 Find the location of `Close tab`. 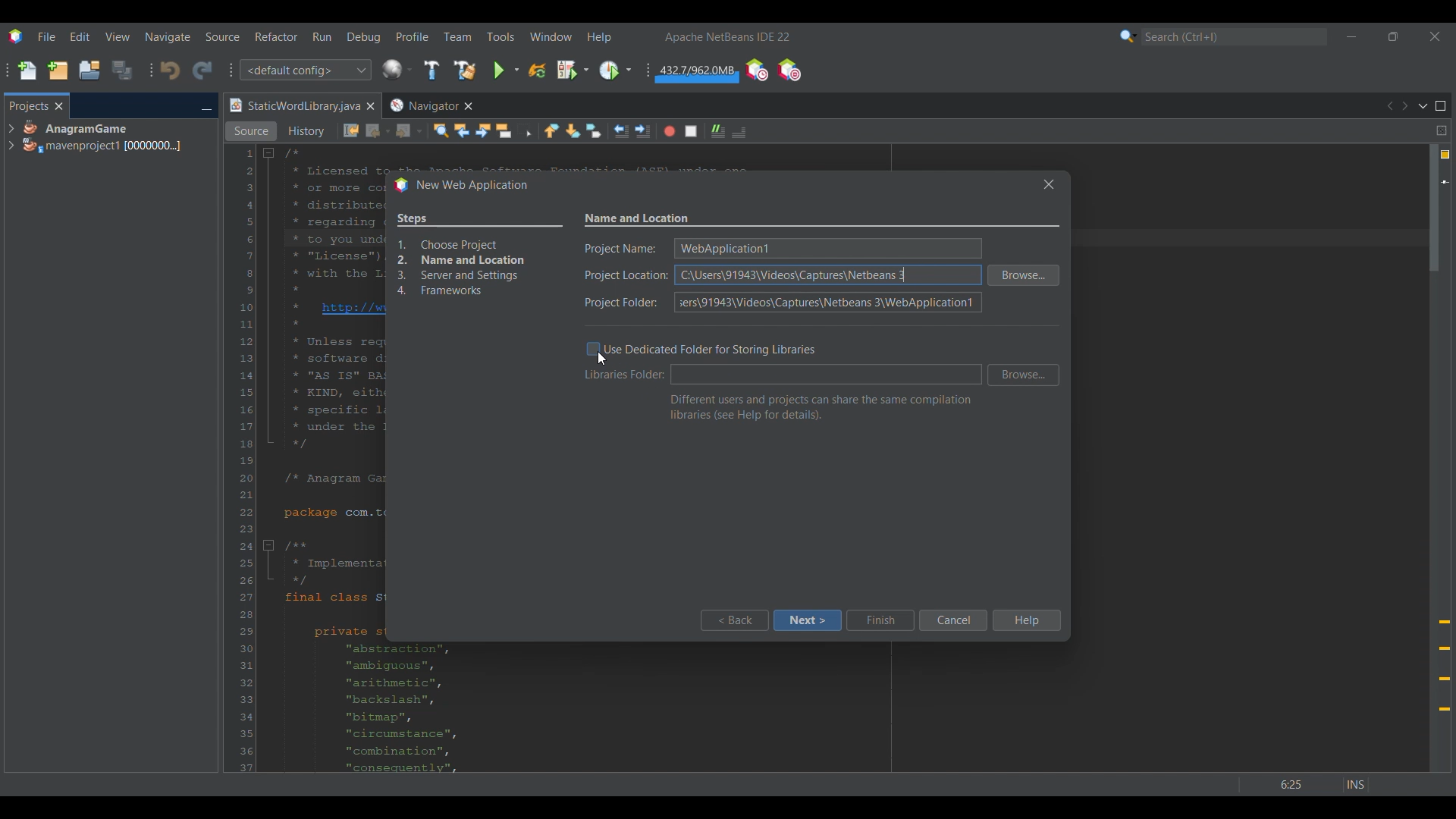

Close tab is located at coordinates (59, 106).